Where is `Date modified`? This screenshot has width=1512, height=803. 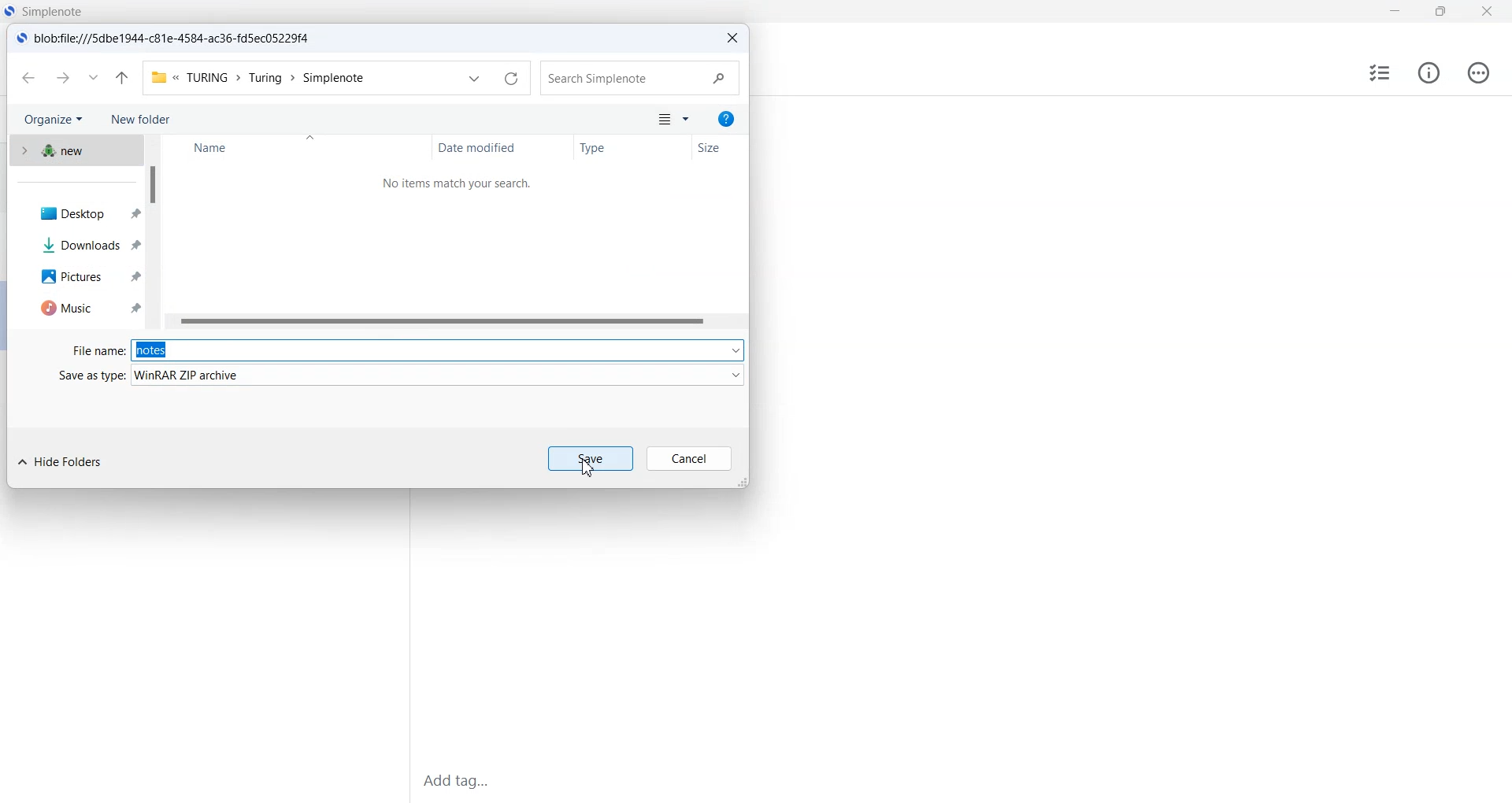
Date modified is located at coordinates (503, 147).